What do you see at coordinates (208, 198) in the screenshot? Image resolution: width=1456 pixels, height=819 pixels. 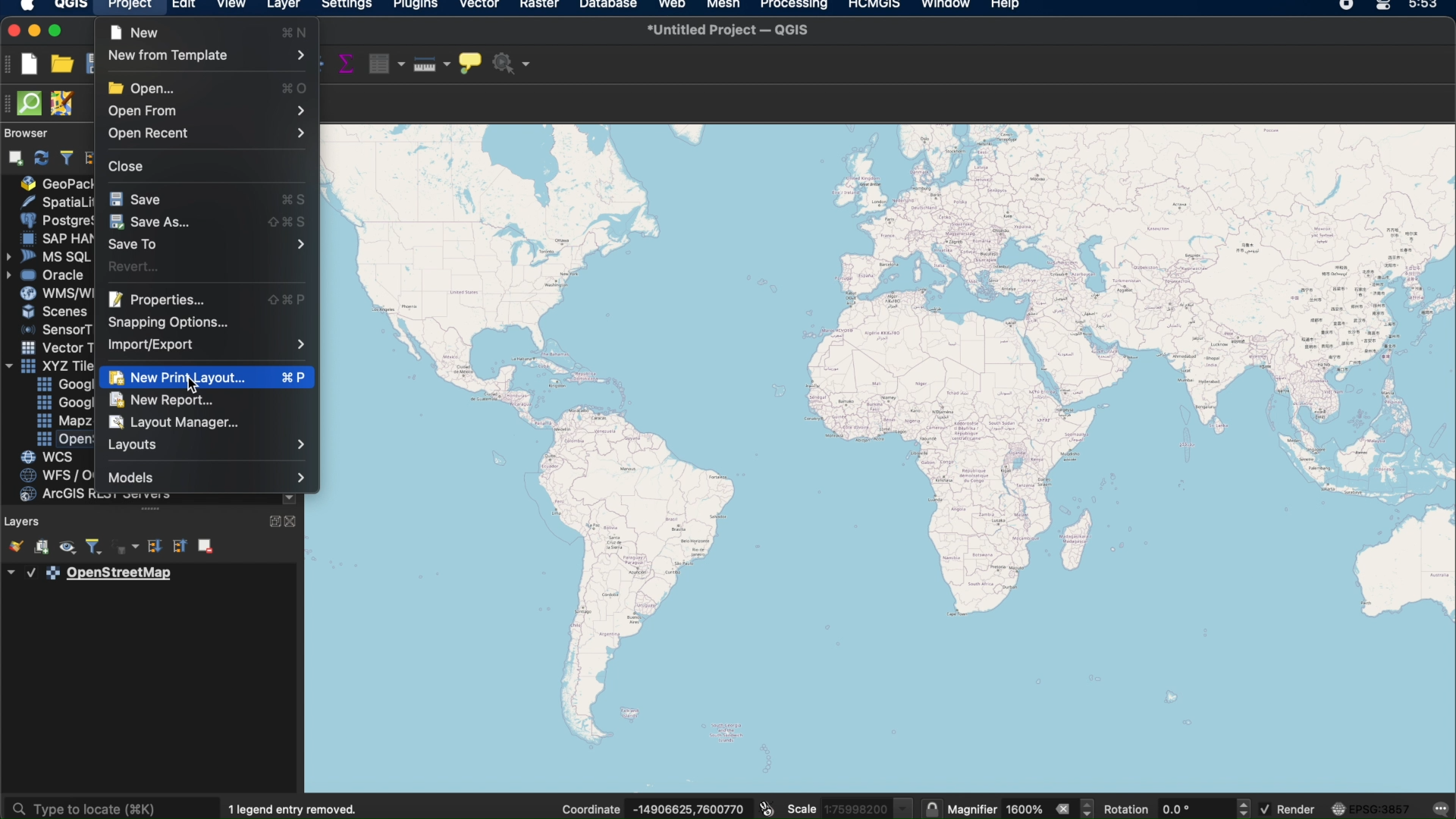 I see `save` at bounding box center [208, 198].